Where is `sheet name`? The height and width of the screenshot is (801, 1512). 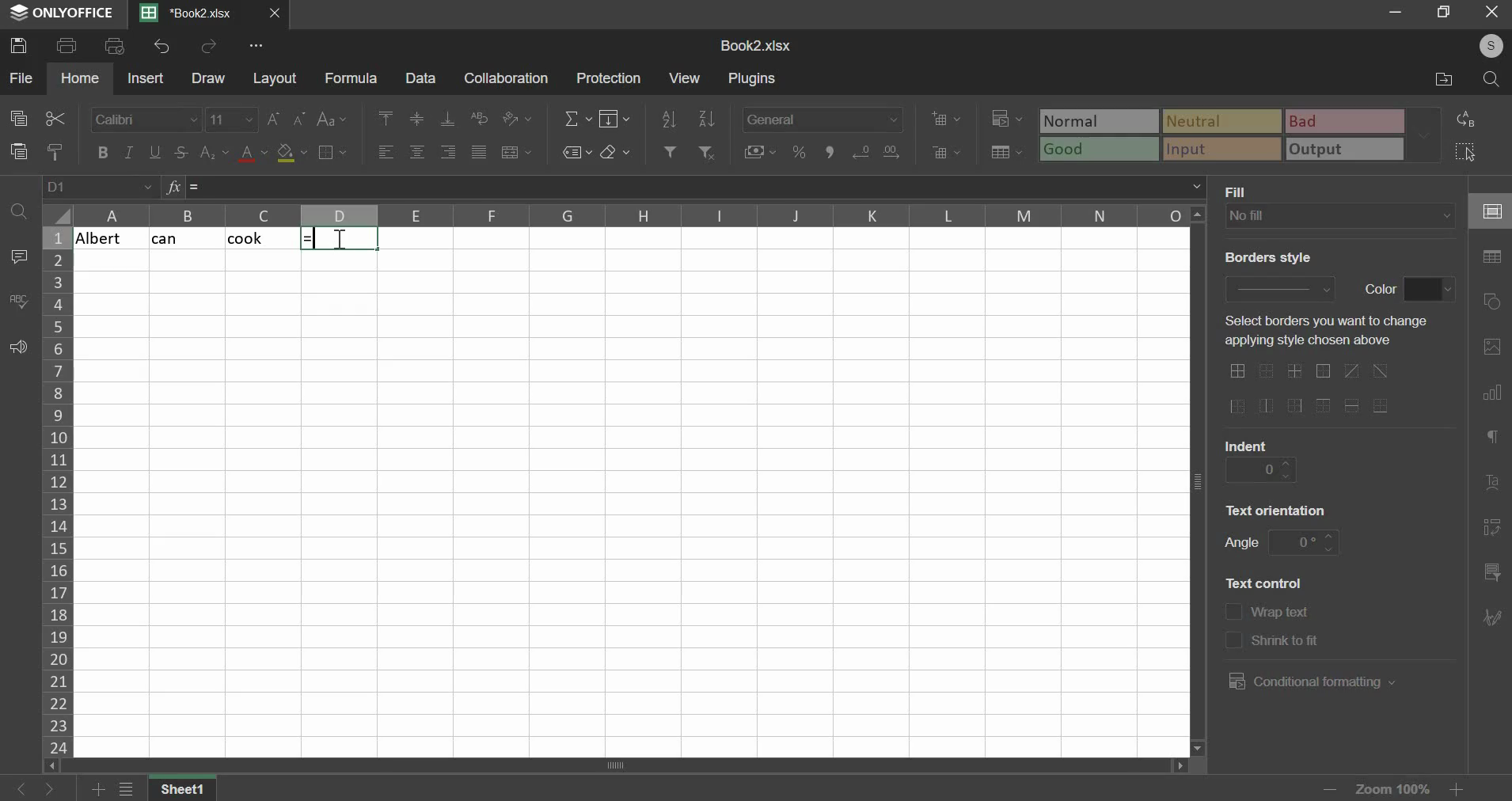
sheet name is located at coordinates (188, 790).